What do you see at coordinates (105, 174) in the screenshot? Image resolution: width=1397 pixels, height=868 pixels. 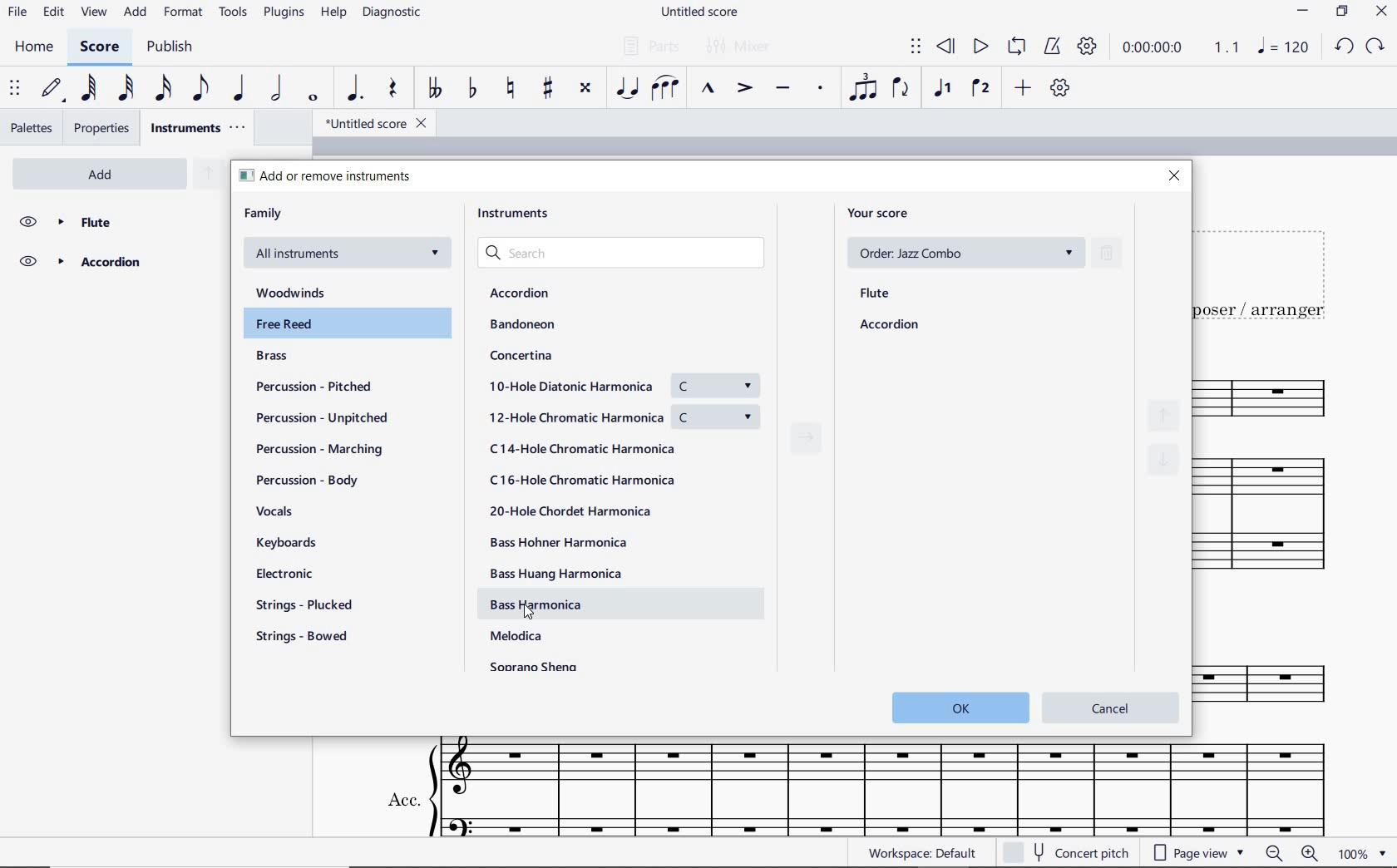 I see `add` at bounding box center [105, 174].